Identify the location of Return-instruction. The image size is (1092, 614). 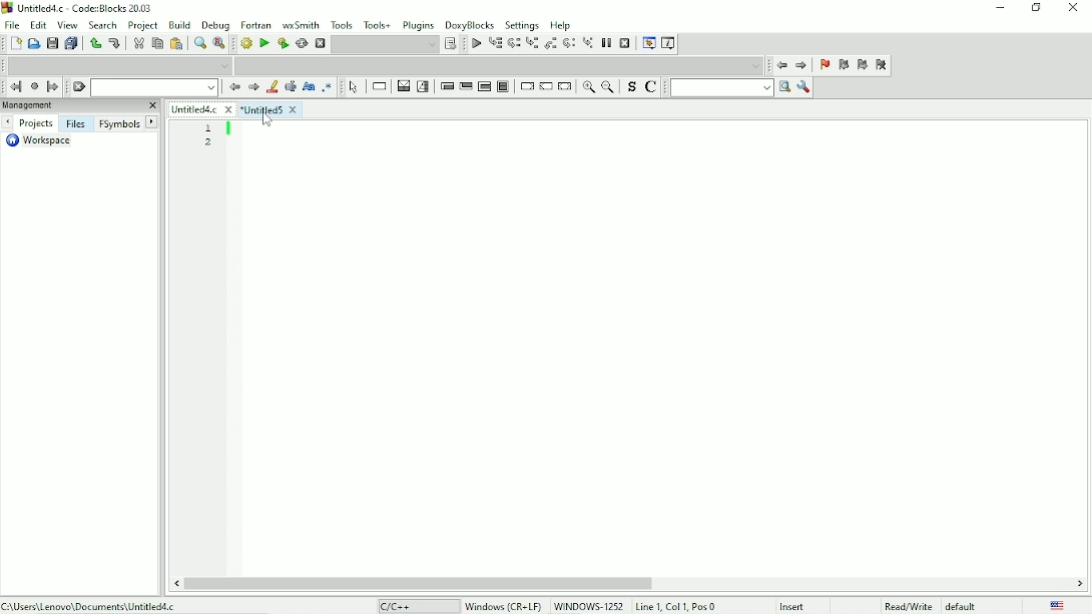
(565, 86).